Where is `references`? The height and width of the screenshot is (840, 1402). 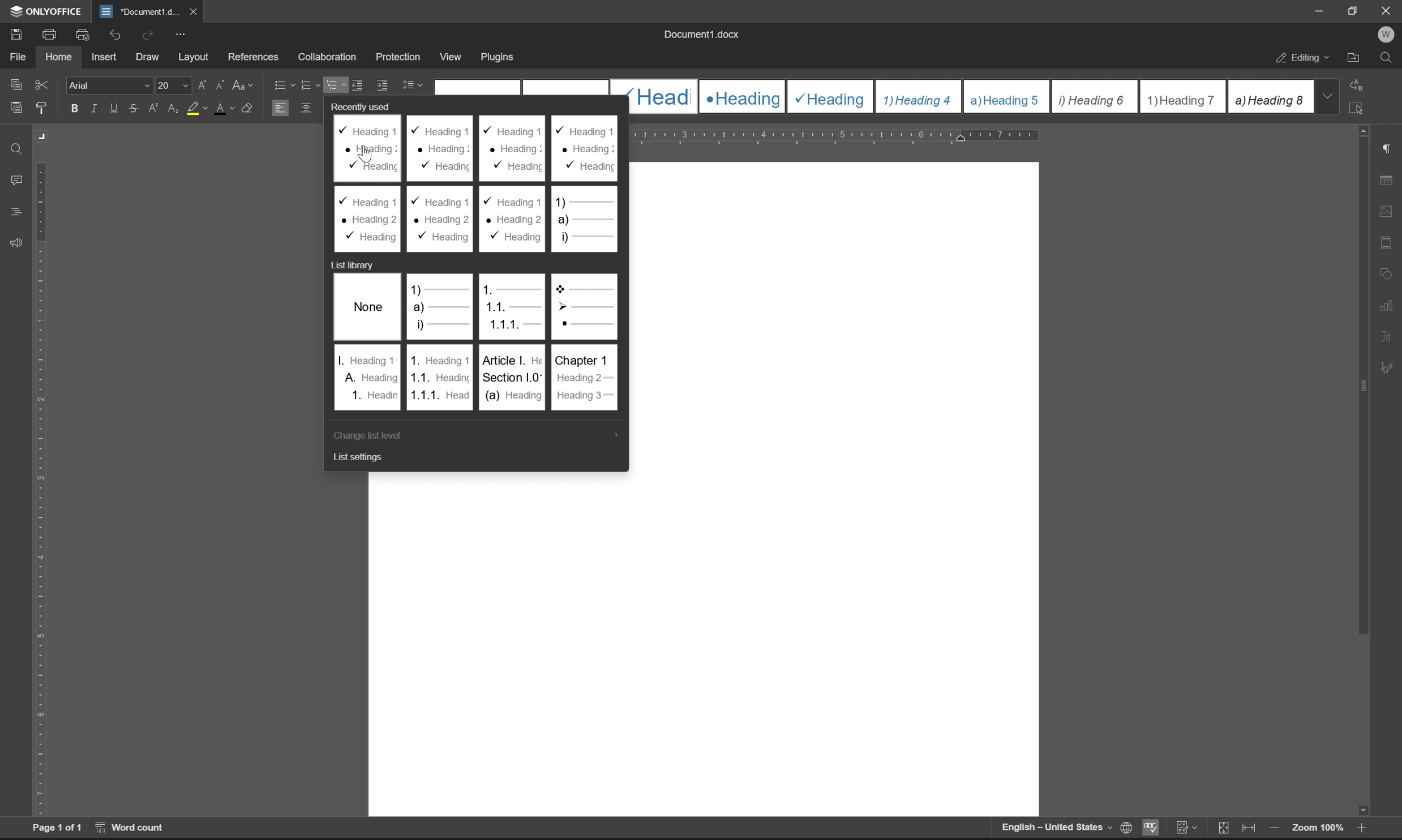
references is located at coordinates (254, 54).